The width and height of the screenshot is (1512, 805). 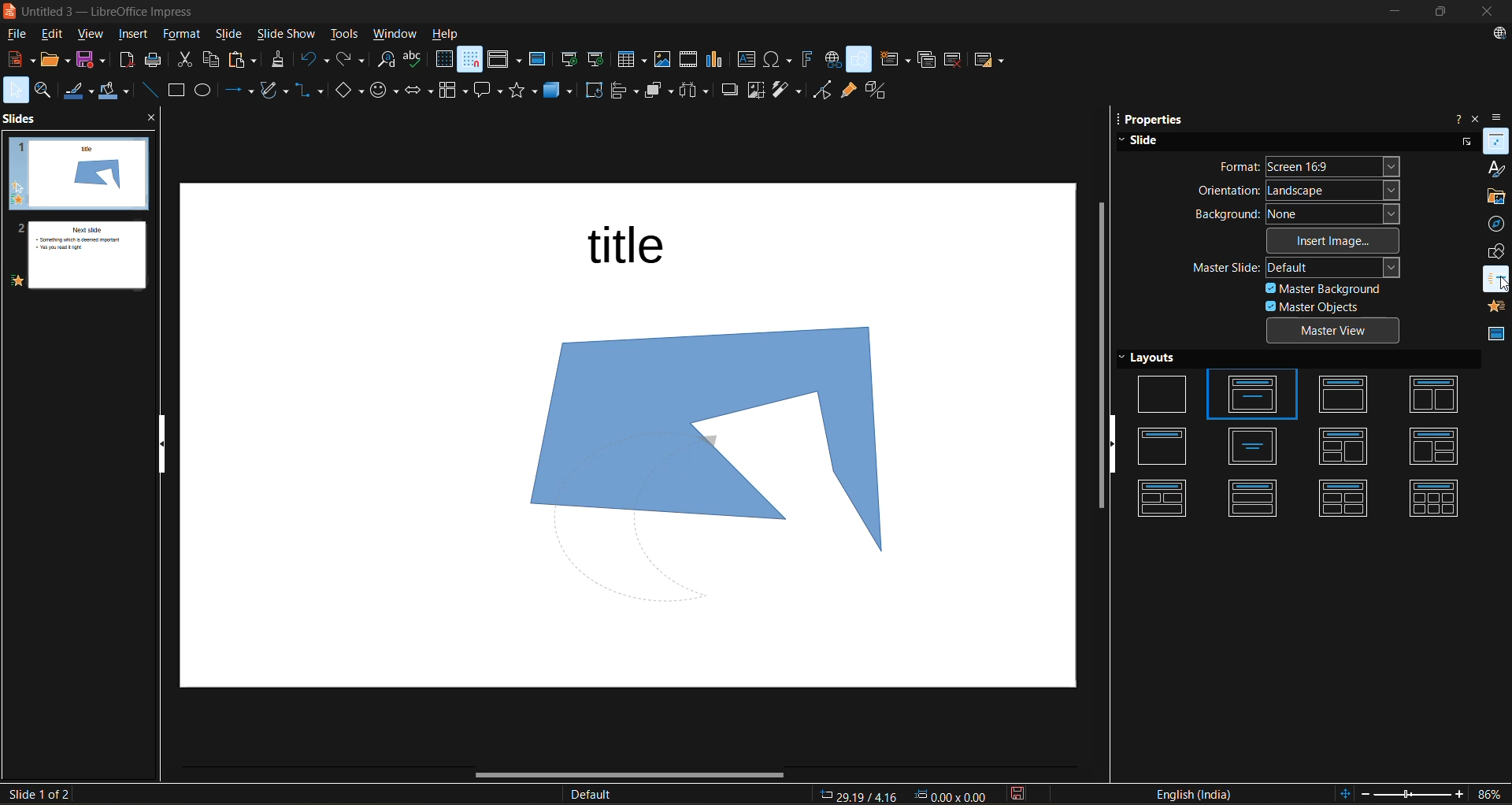 I want to click on slides, so click(x=74, y=215).